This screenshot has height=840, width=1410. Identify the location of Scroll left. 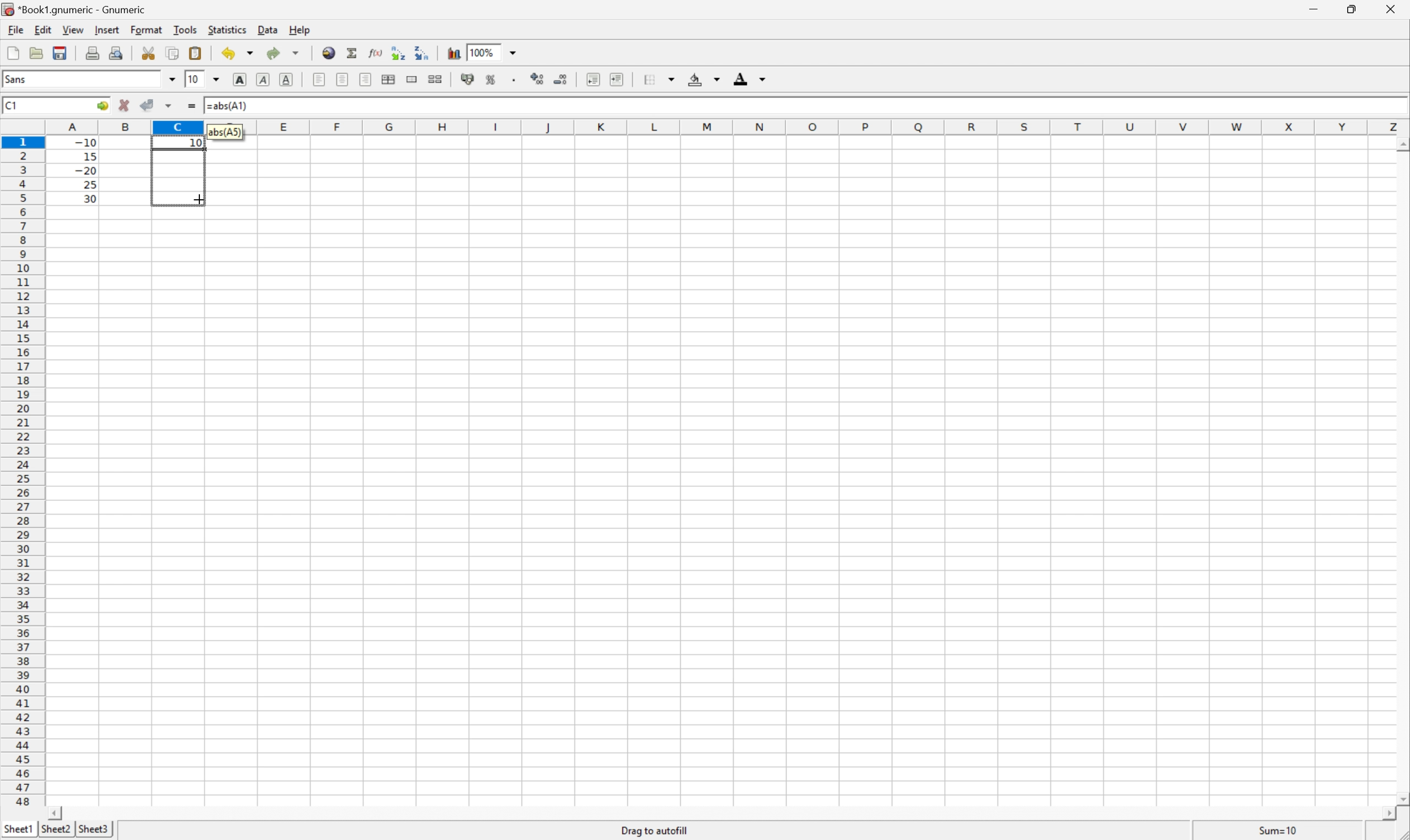
(57, 812).